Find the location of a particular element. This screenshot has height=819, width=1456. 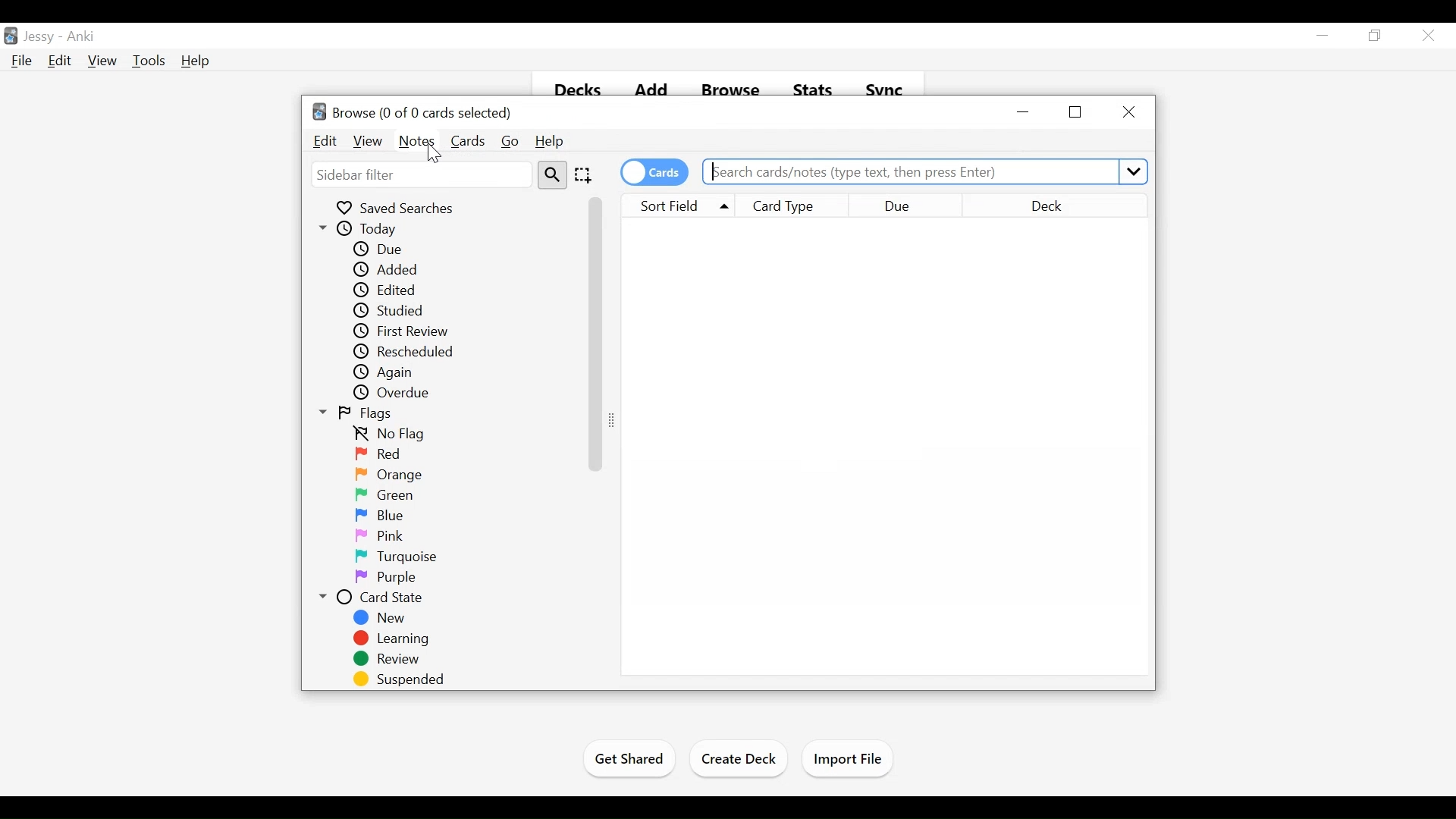

Green is located at coordinates (384, 495).